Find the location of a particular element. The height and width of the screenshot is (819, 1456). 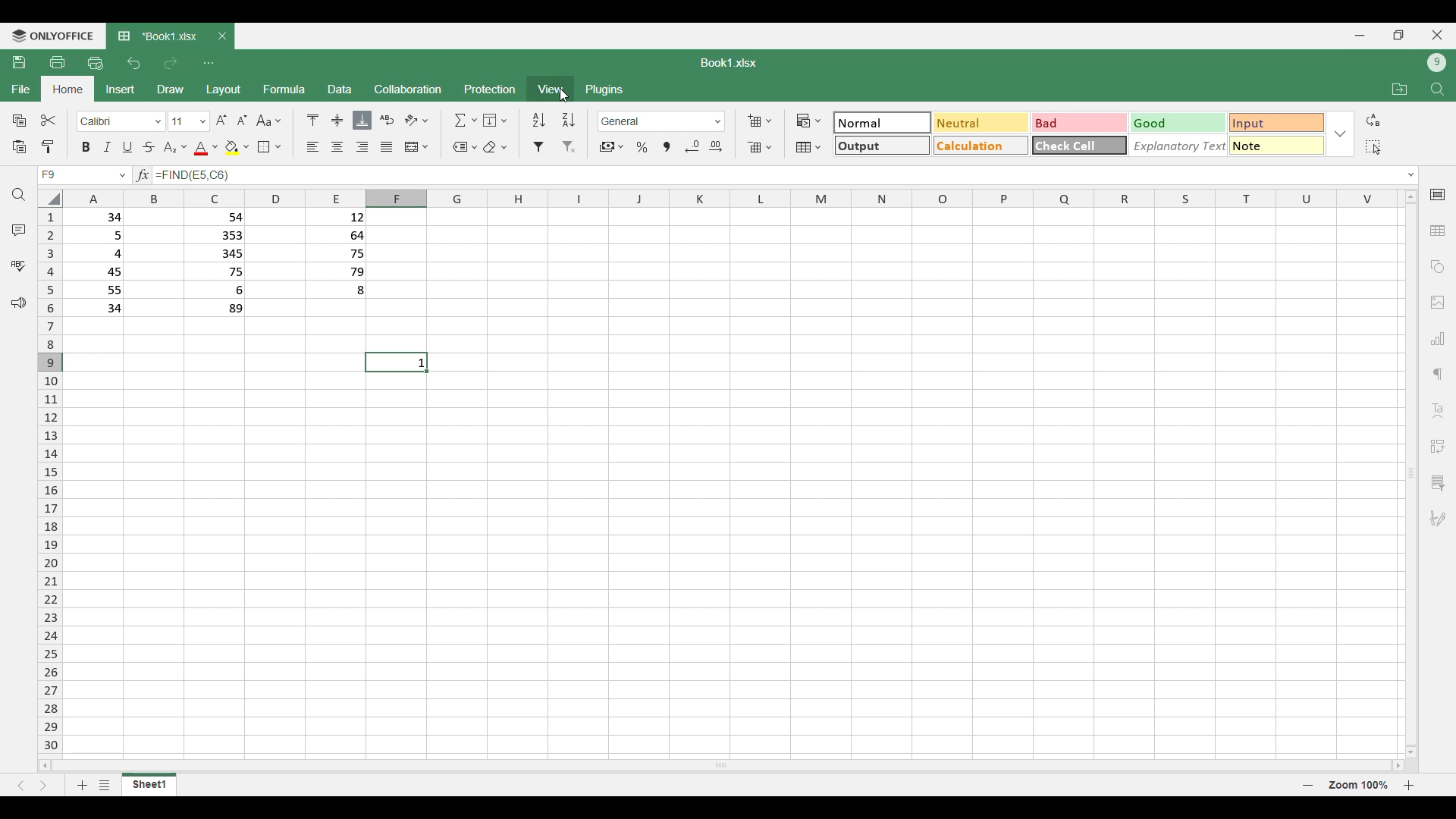

Centre alignment is located at coordinates (337, 147).